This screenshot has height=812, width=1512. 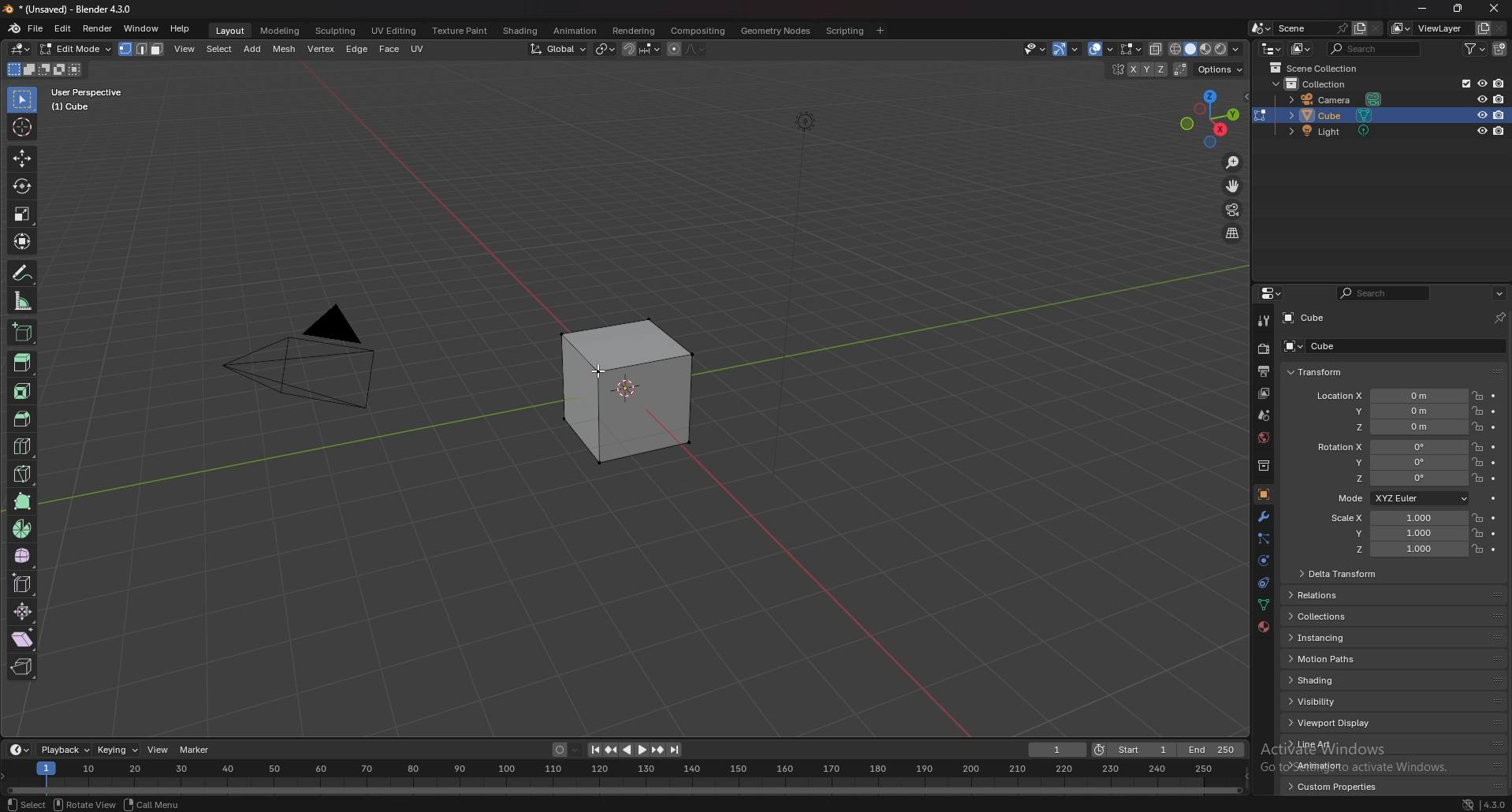 What do you see at coordinates (1261, 28) in the screenshot?
I see `browse scene to be linked` at bounding box center [1261, 28].